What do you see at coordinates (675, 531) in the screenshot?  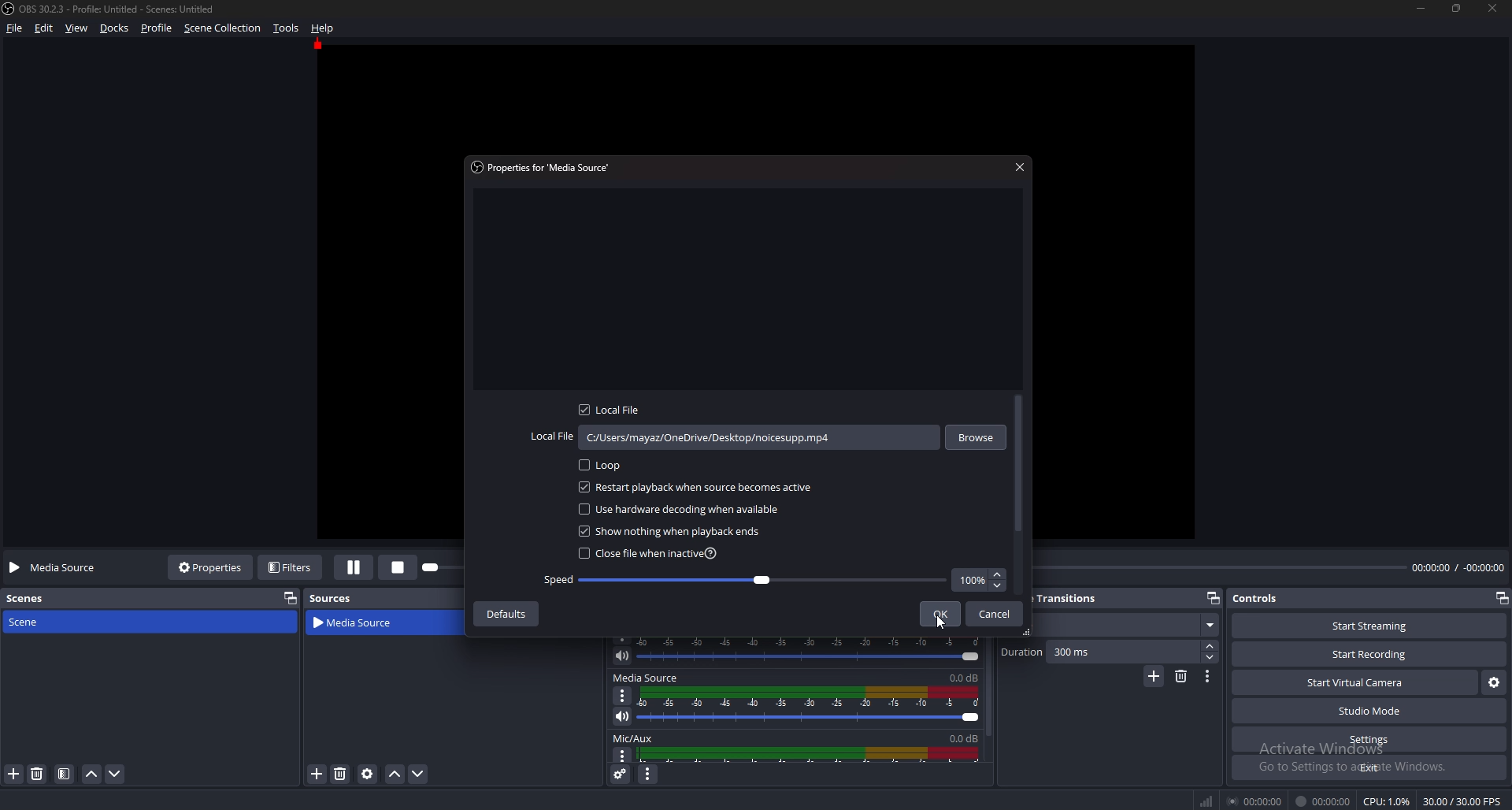 I see `Show nothing when playback ends` at bounding box center [675, 531].